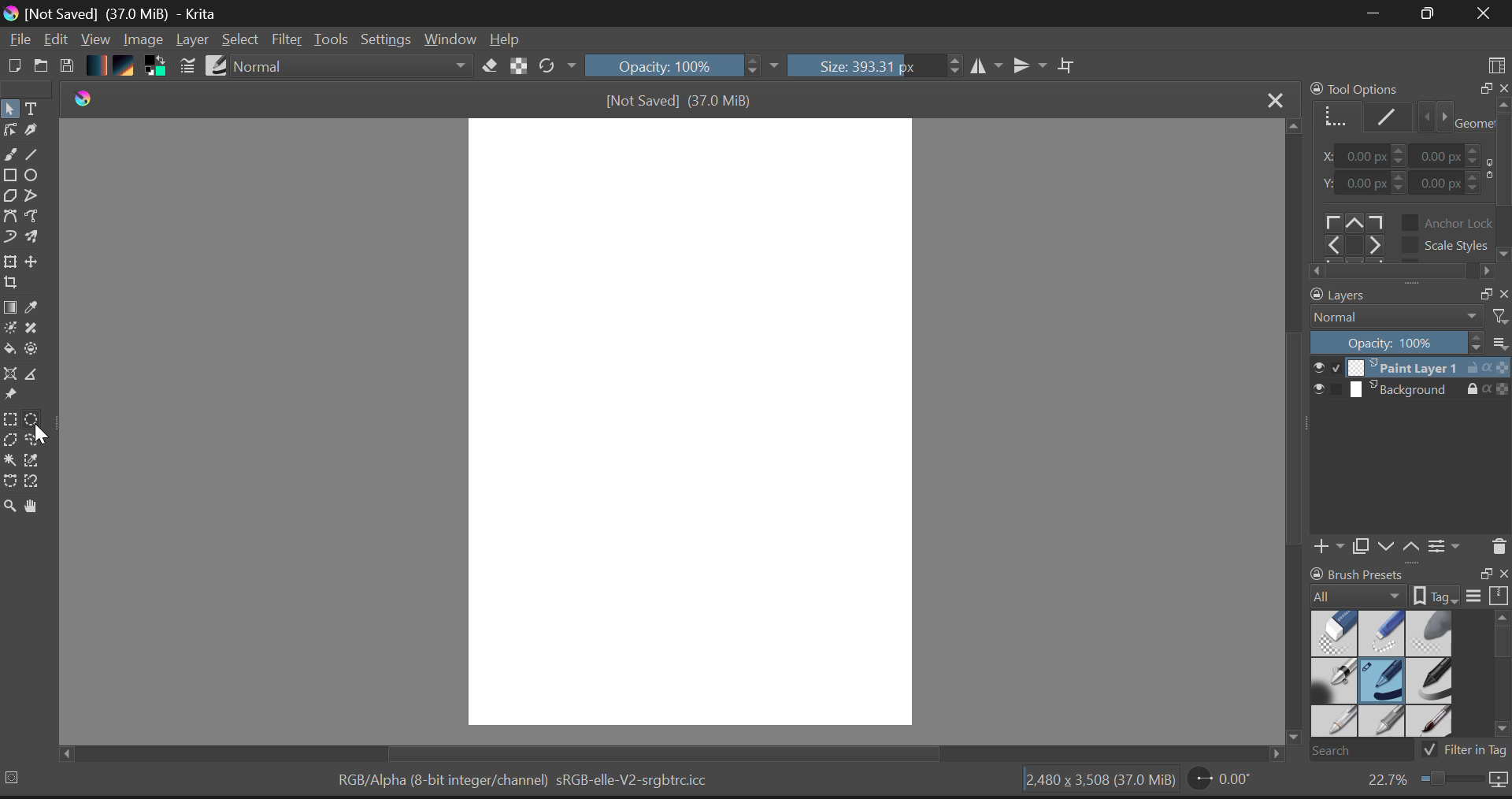 This screenshot has width=1512, height=799. What do you see at coordinates (1067, 66) in the screenshot?
I see `Crop` at bounding box center [1067, 66].